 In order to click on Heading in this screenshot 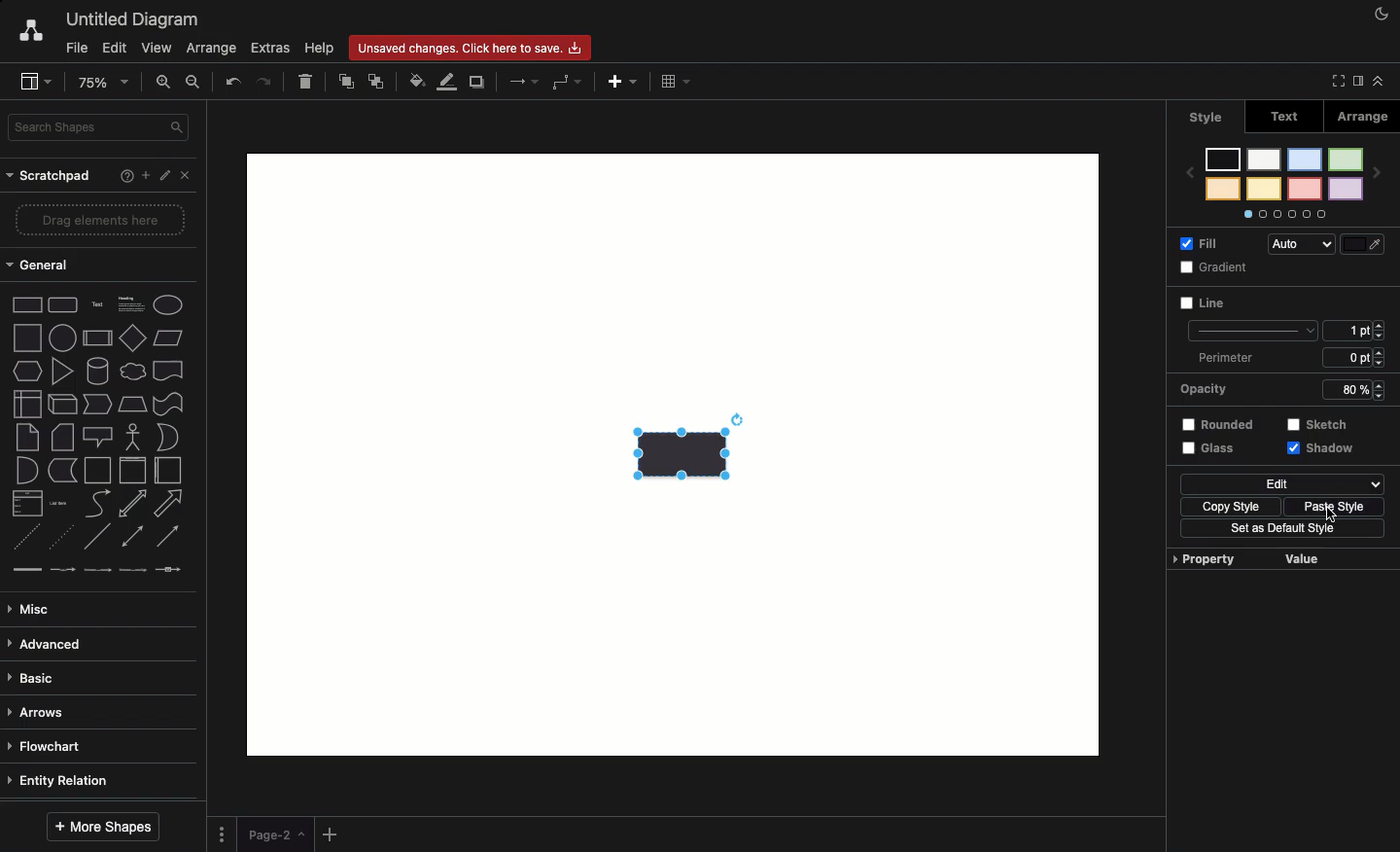, I will do `click(130, 307)`.